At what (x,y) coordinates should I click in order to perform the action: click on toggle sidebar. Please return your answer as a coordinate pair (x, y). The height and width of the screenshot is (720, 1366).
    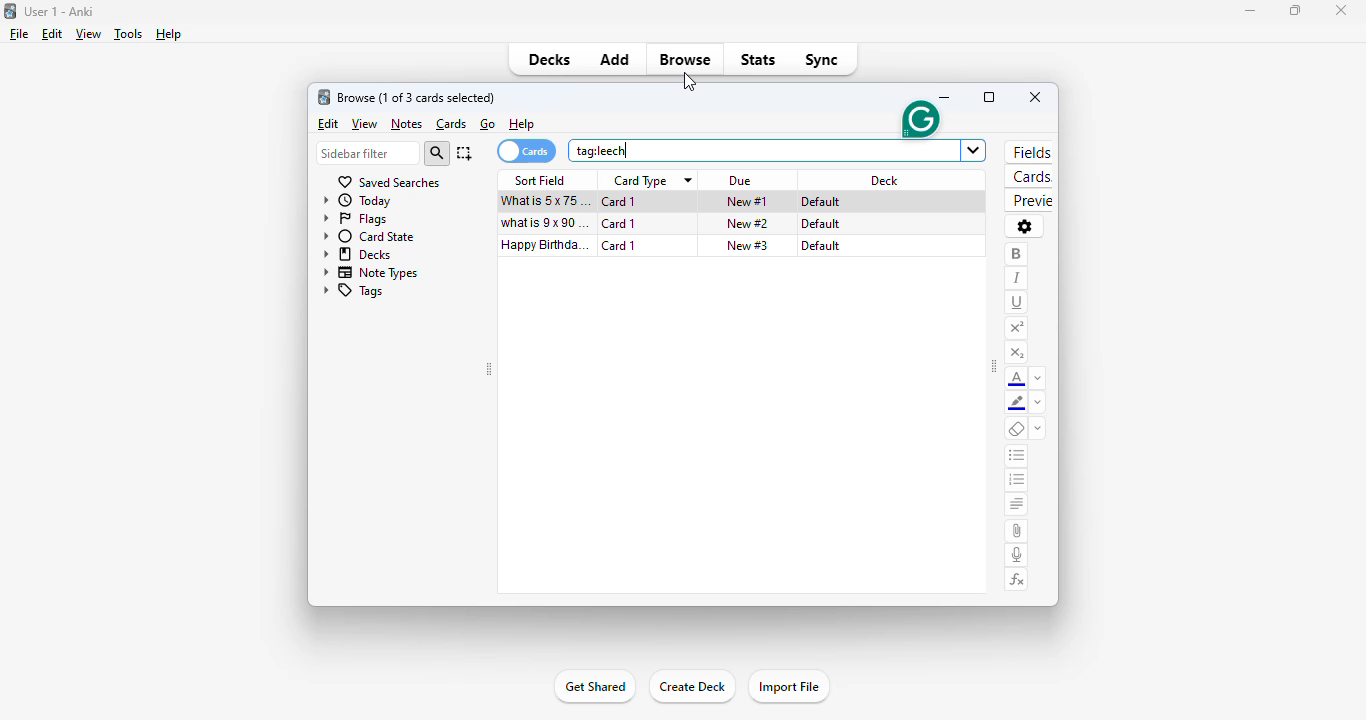
    Looking at the image, I should click on (489, 369).